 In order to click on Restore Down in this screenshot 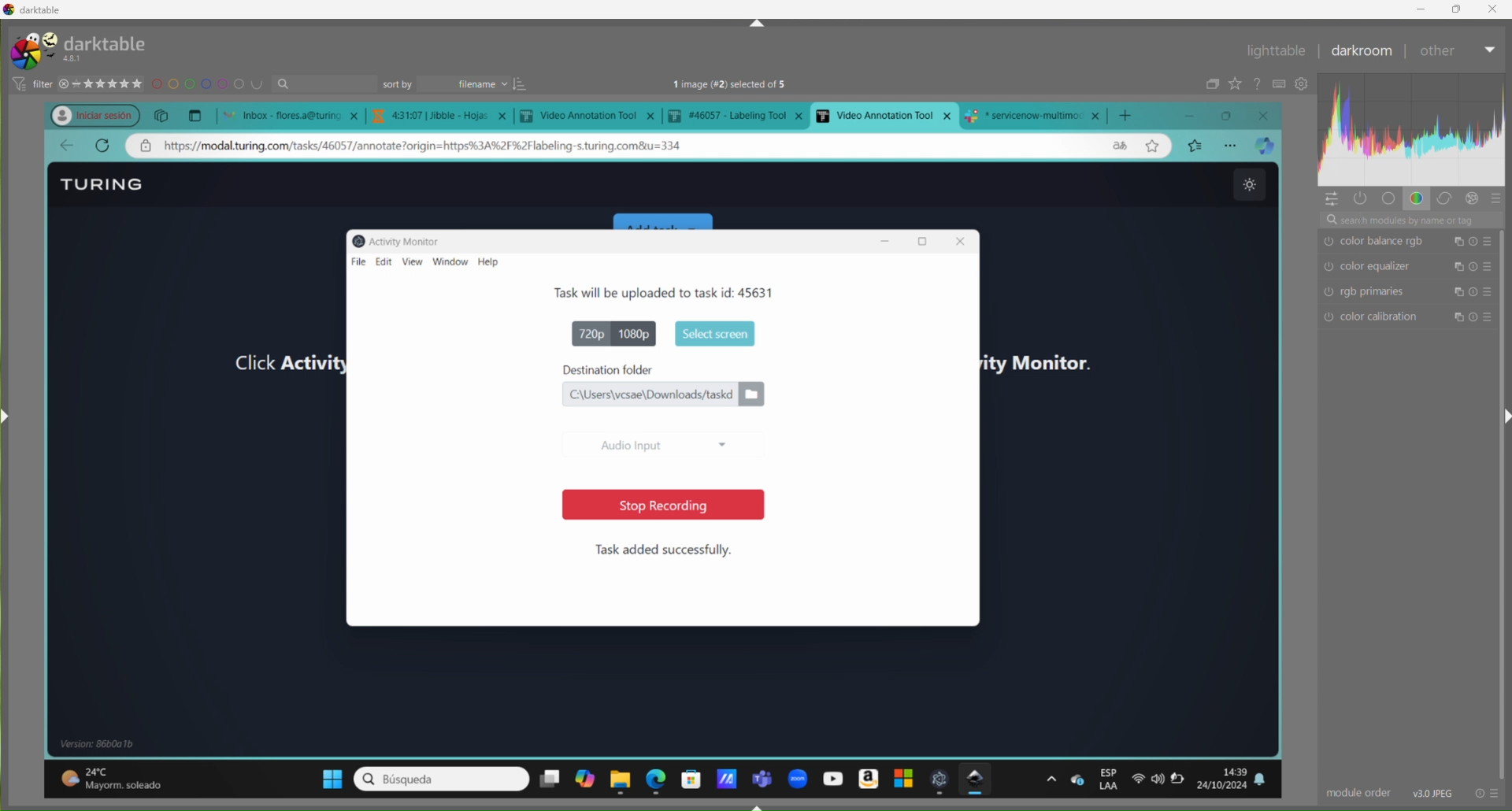, I will do `click(1457, 9)`.